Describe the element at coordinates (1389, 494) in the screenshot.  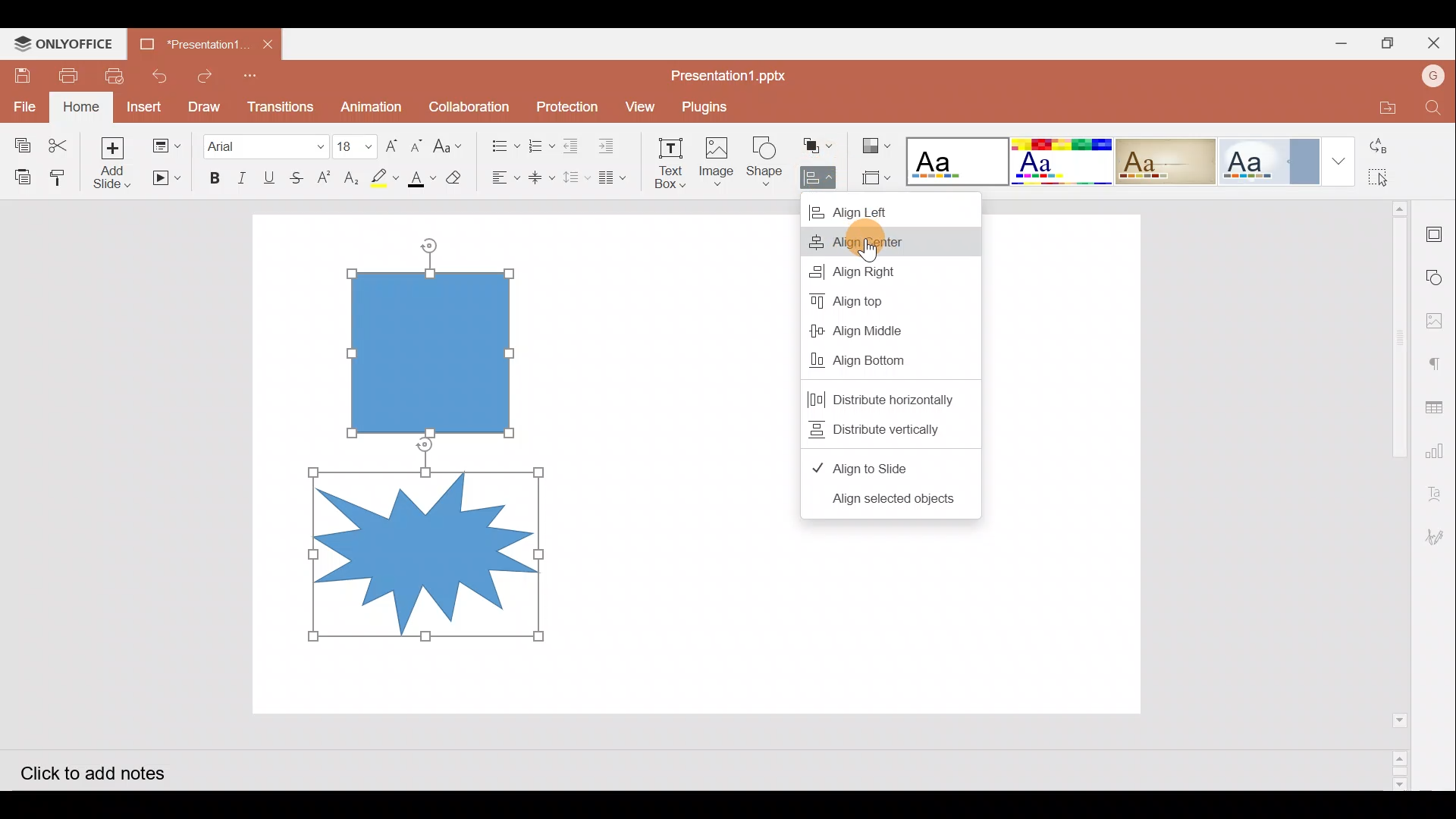
I see `Scroll bar` at that location.